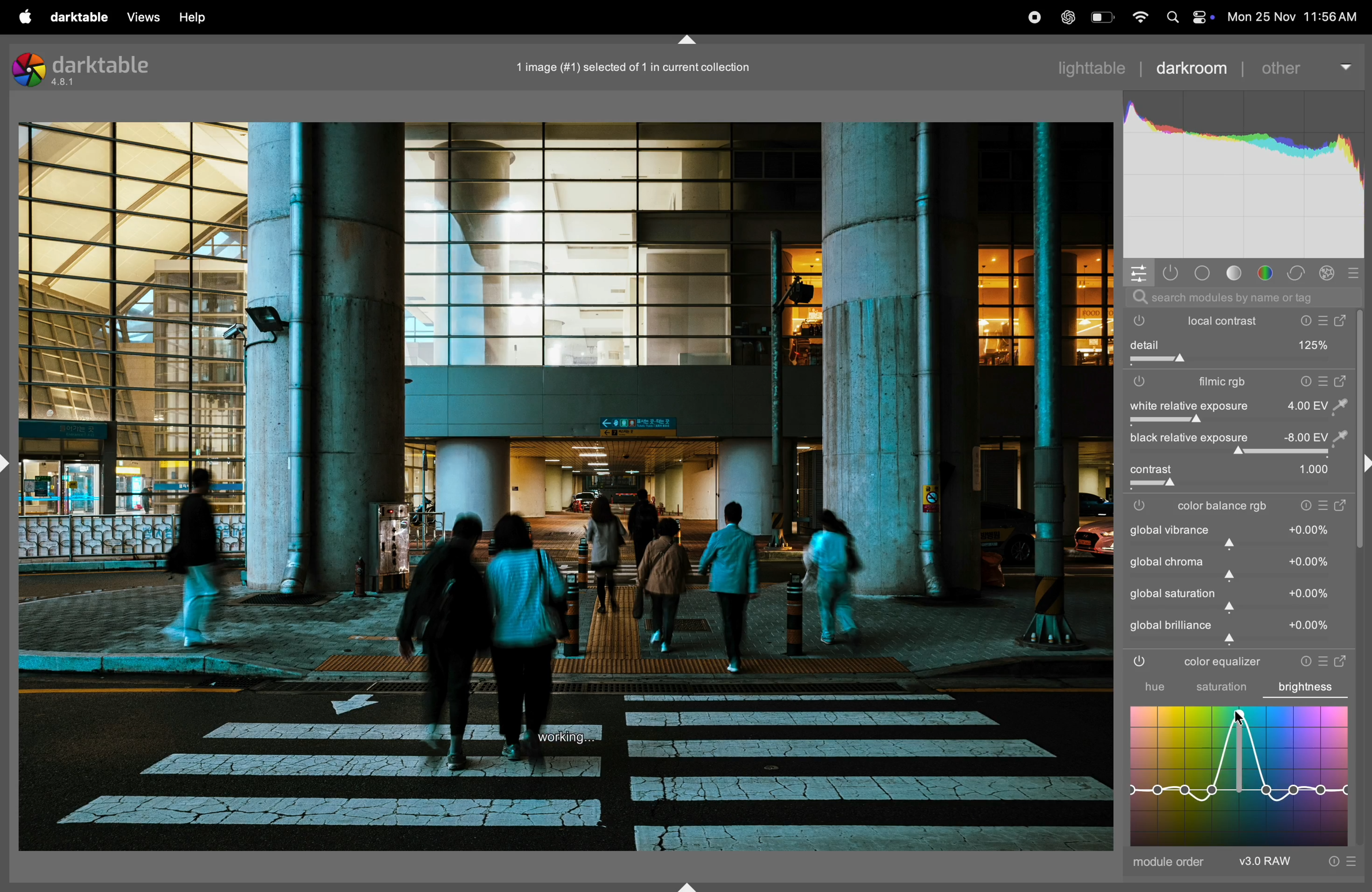 Image resolution: width=1372 pixels, height=892 pixels. Describe the element at coordinates (1324, 507) in the screenshot. I see `presets` at that location.